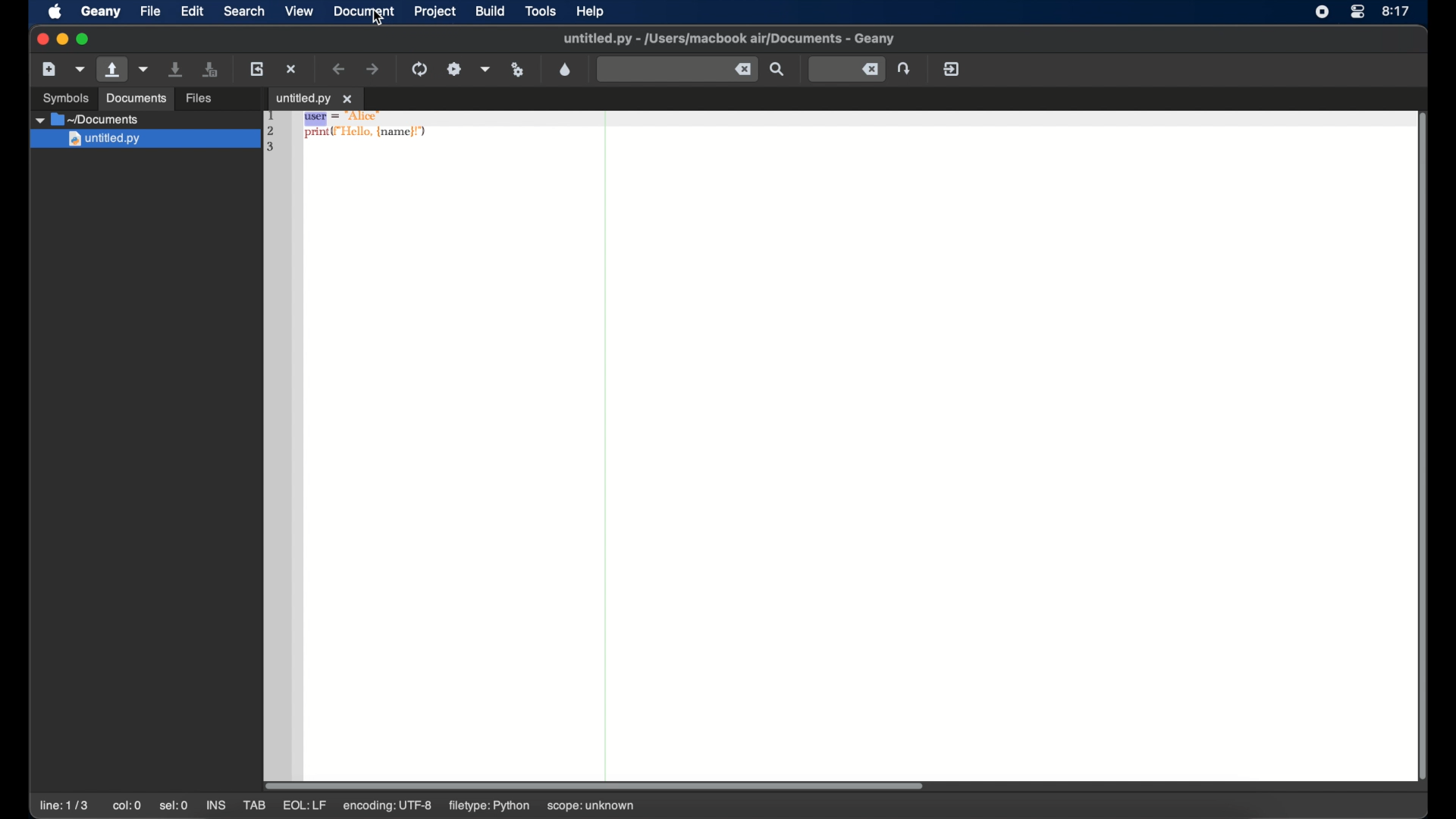 This screenshot has height=819, width=1456. Describe the element at coordinates (176, 69) in the screenshot. I see `save the current file` at that location.